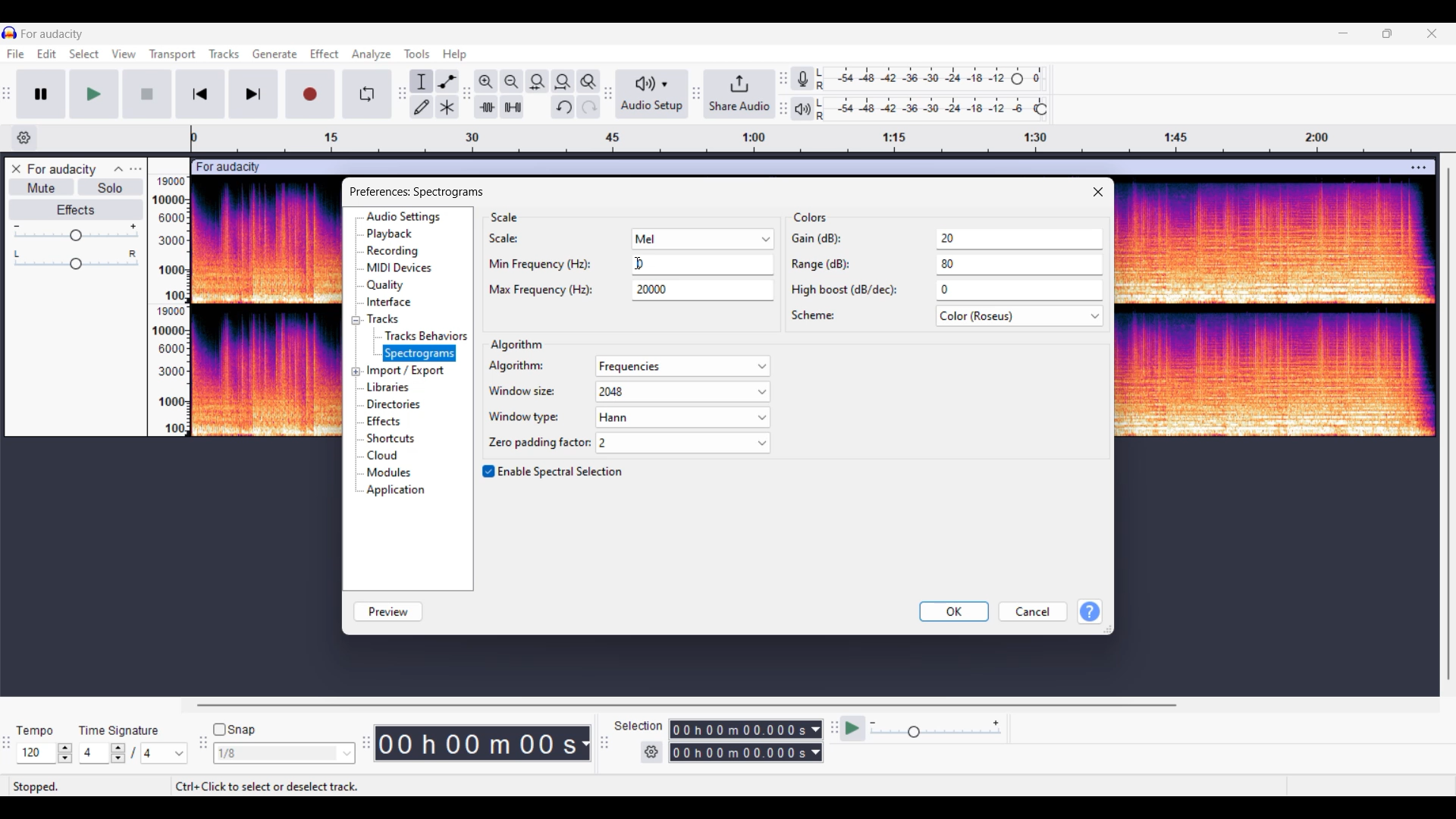  Describe the element at coordinates (1344, 33) in the screenshot. I see `Minimize` at that location.